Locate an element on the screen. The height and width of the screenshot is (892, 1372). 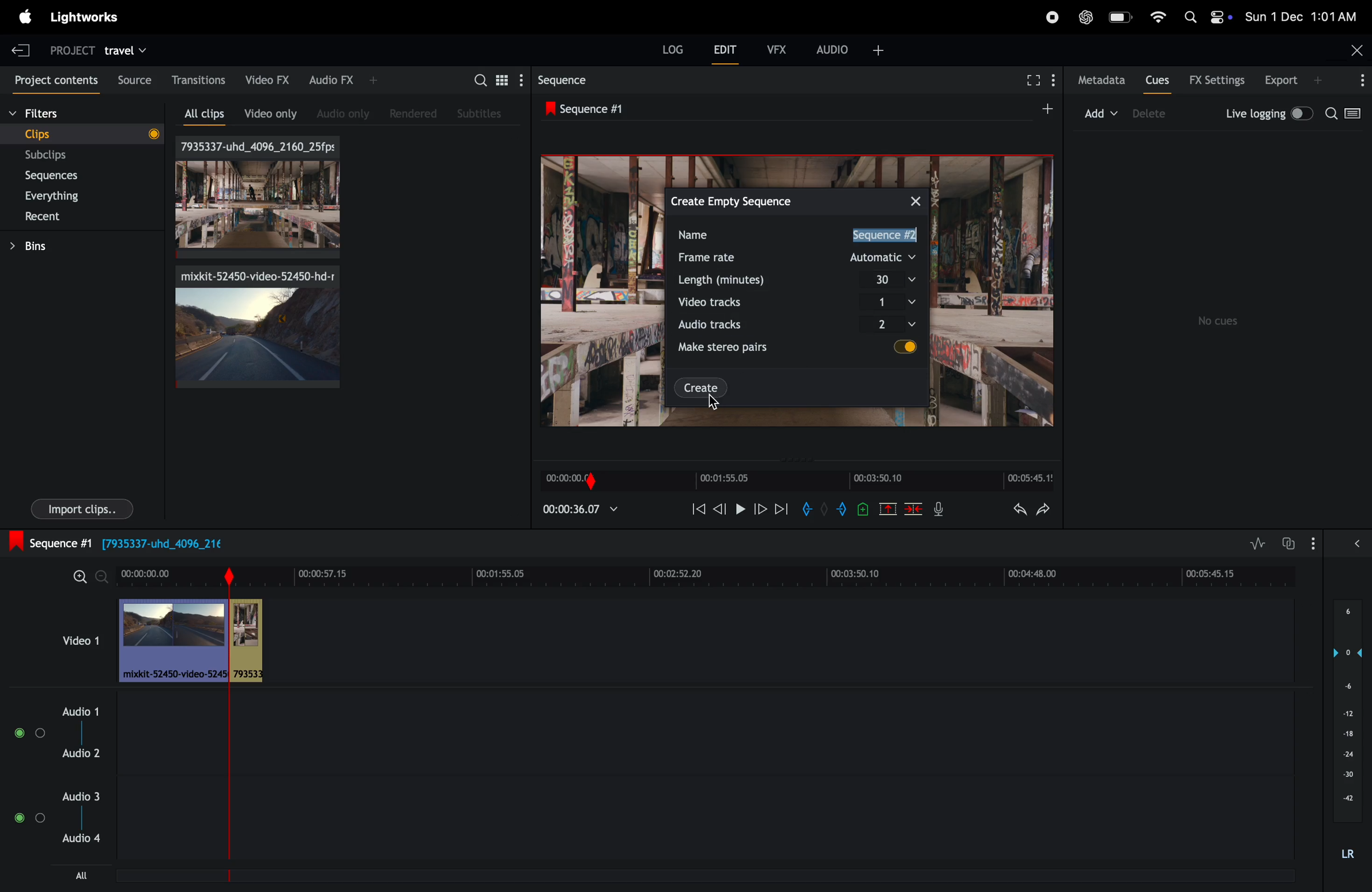
subtitles is located at coordinates (481, 114).